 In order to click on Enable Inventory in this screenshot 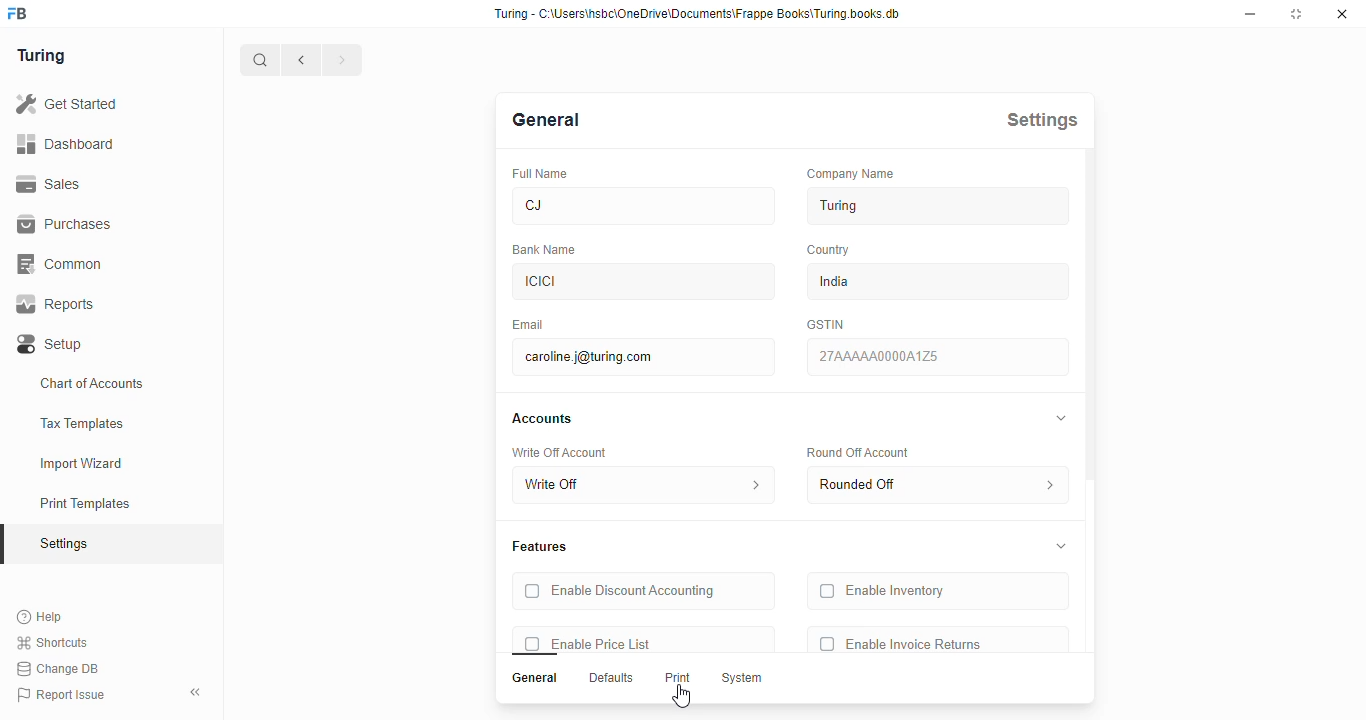, I will do `click(898, 591)`.